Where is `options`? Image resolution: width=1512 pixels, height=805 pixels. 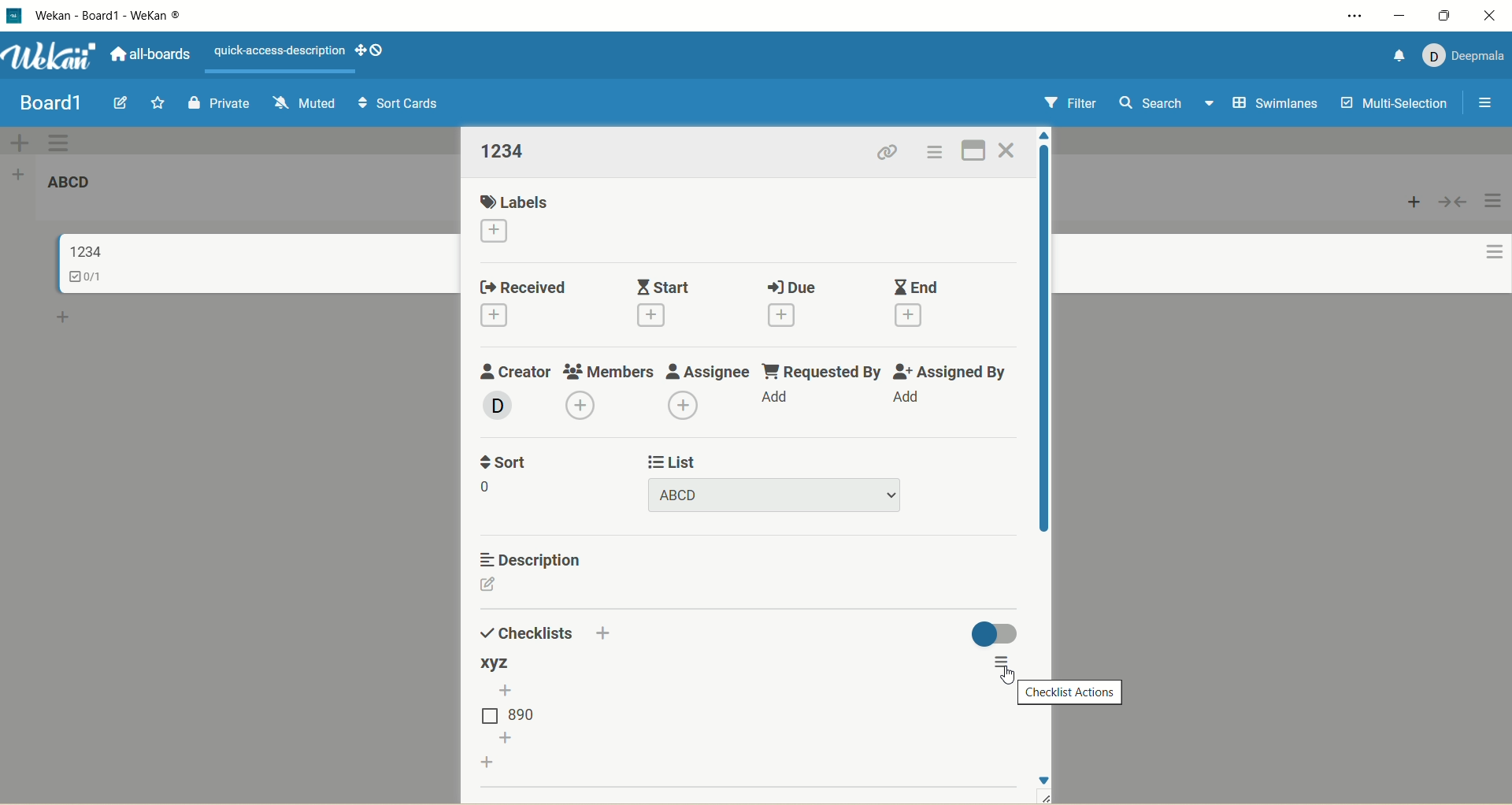
options is located at coordinates (999, 662).